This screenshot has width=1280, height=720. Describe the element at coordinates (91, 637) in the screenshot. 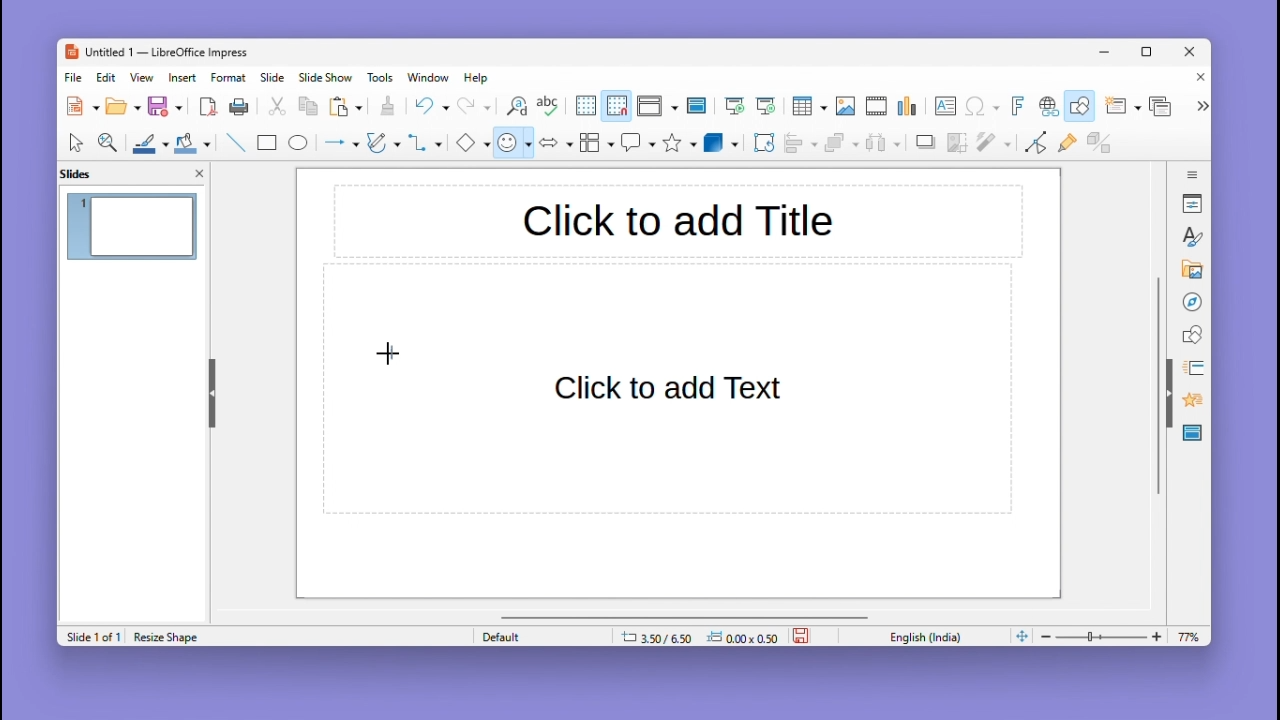

I see `Slide one of one` at that location.